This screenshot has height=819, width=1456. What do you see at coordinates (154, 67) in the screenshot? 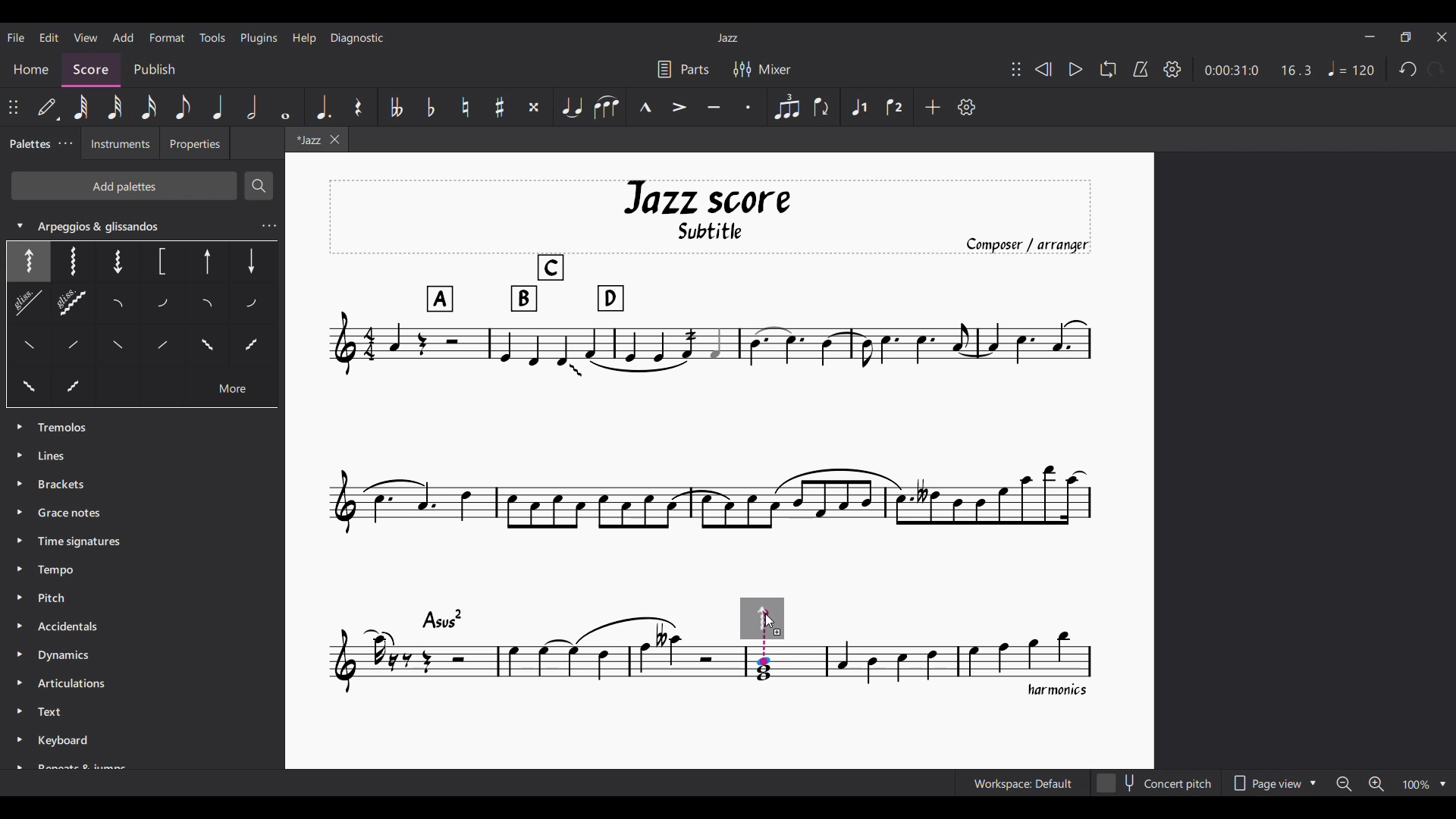
I see `Publish` at bounding box center [154, 67].